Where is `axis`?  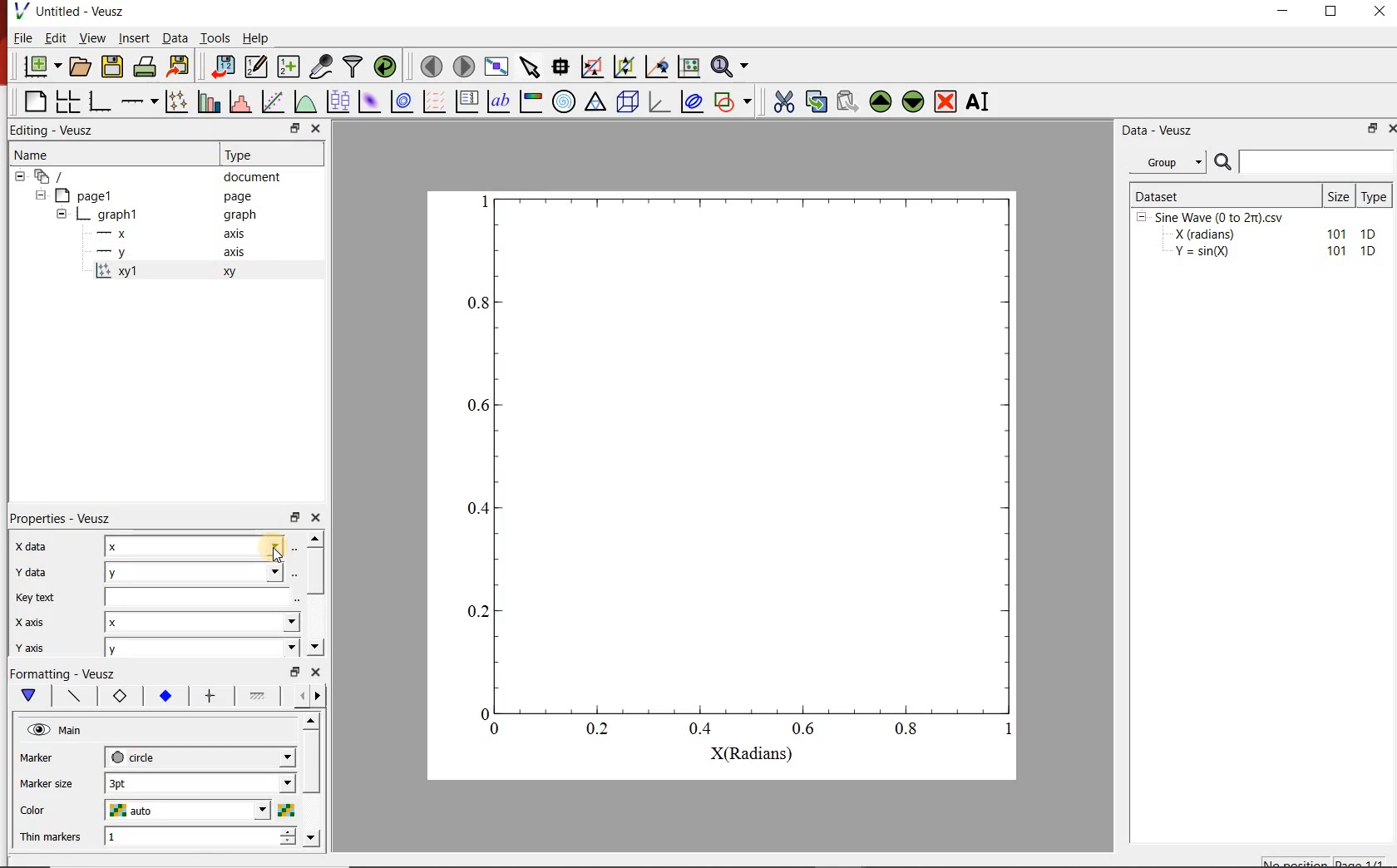 axis is located at coordinates (233, 251).